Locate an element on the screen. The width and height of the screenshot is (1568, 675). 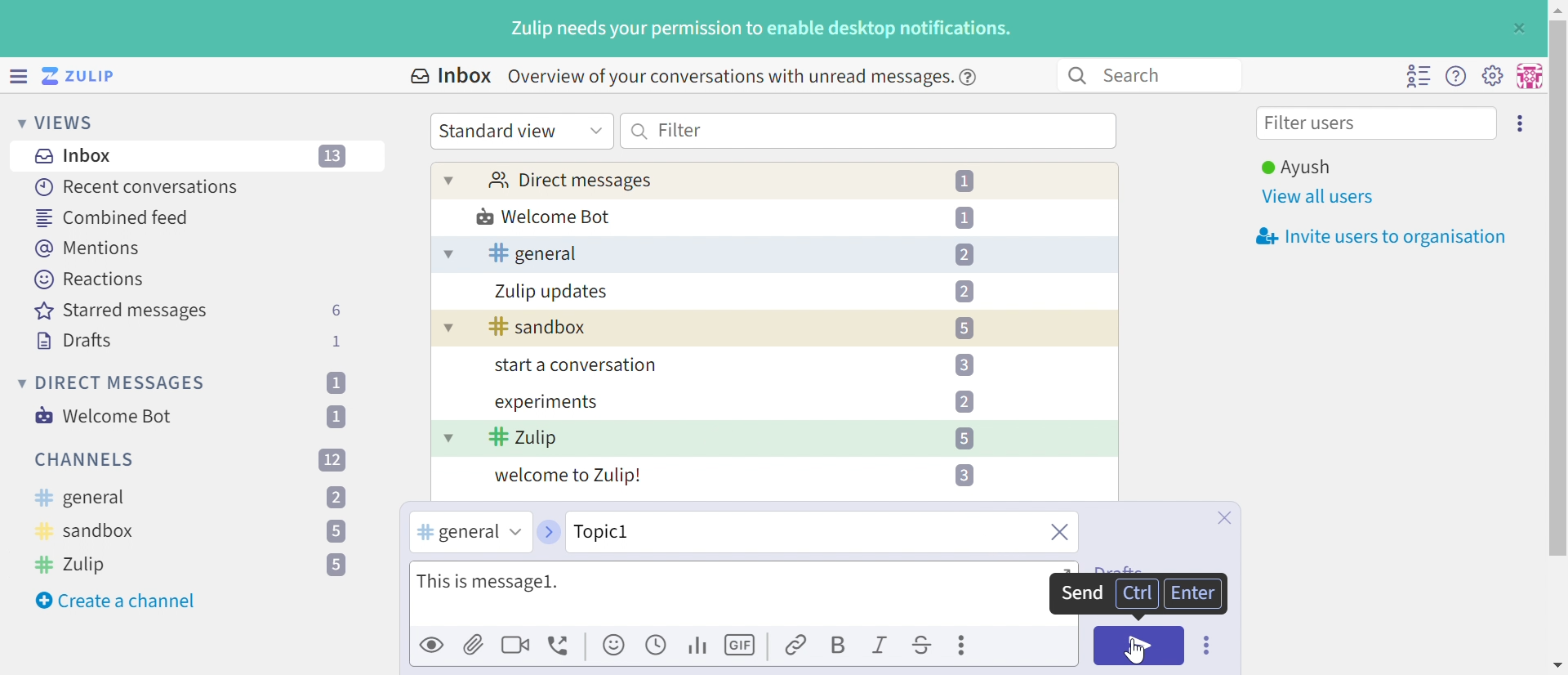
1 is located at coordinates (339, 341).